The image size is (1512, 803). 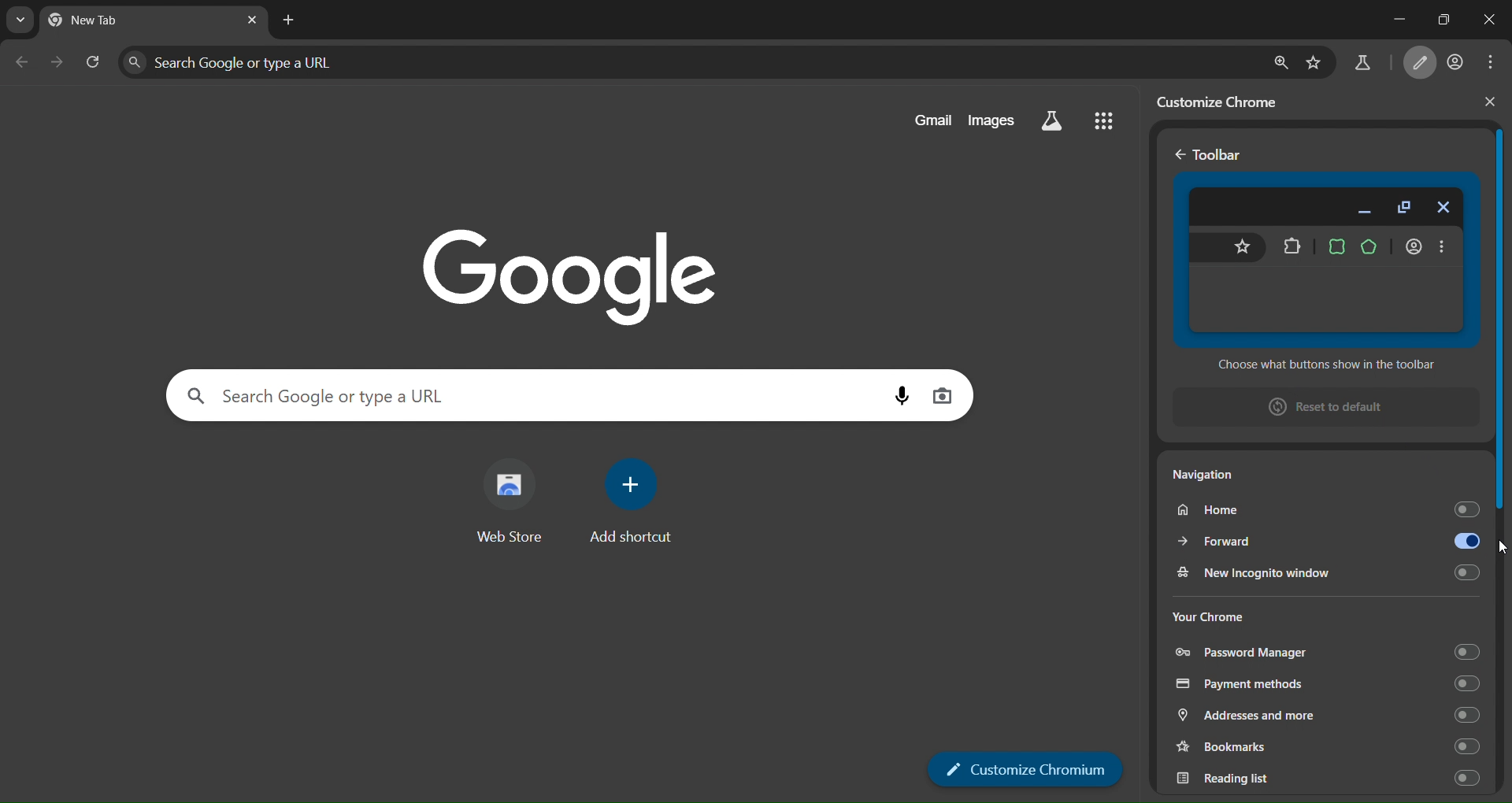 I want to click on new tab, so click(x=289, y=21).